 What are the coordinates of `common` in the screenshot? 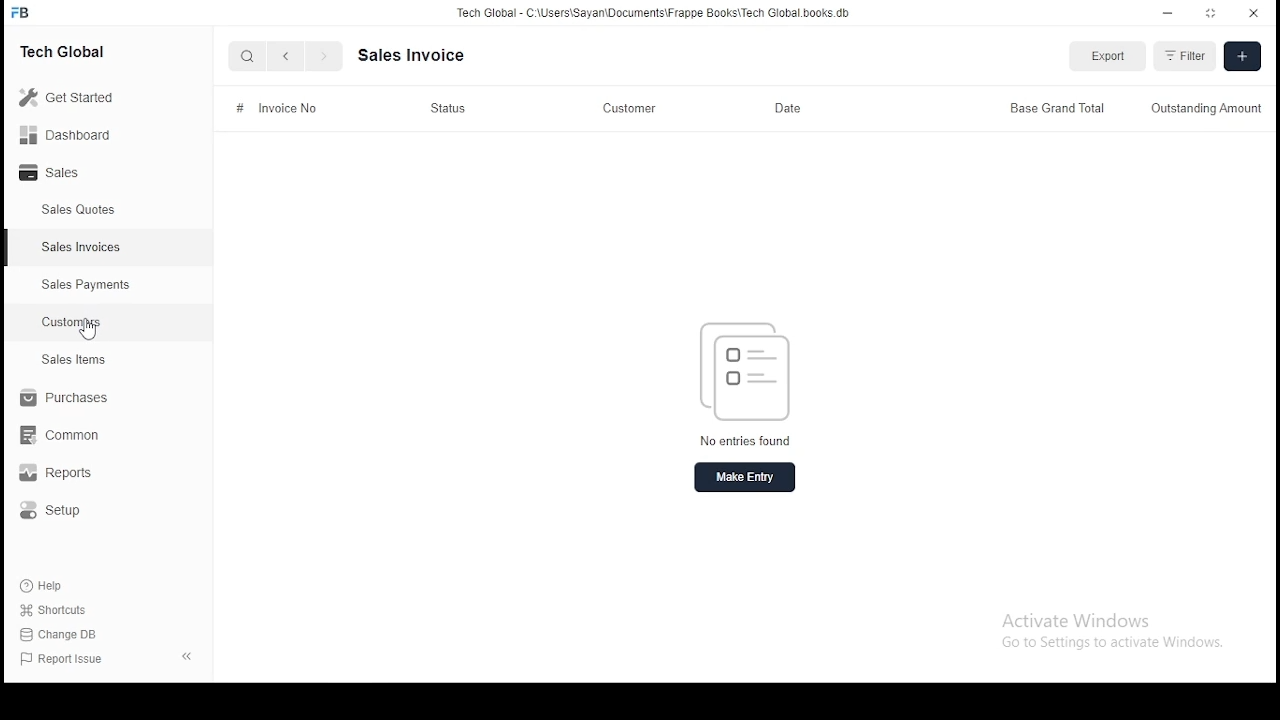 It's located at (59, 437).